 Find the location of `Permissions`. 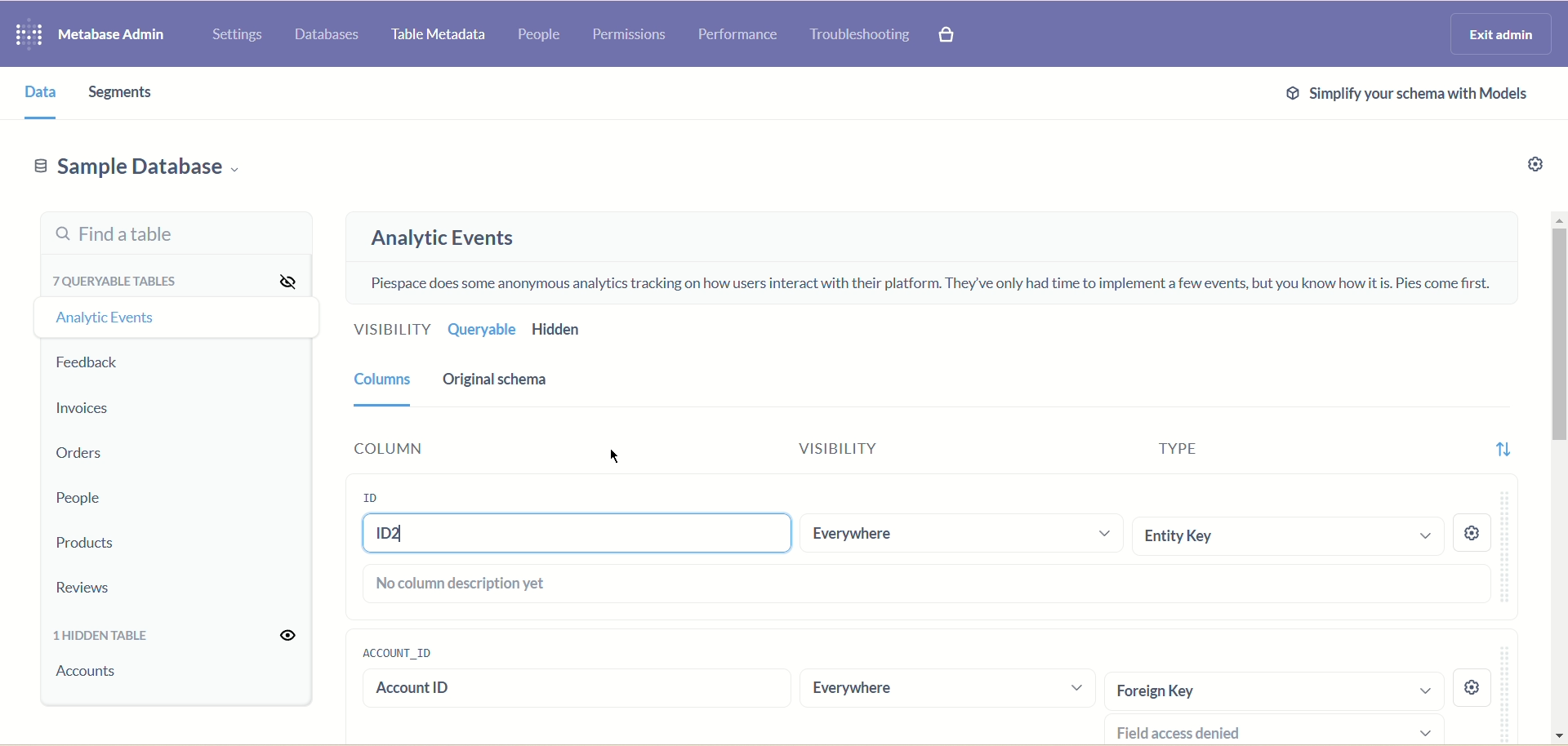

Permissions is located at coordinates (635, 37).